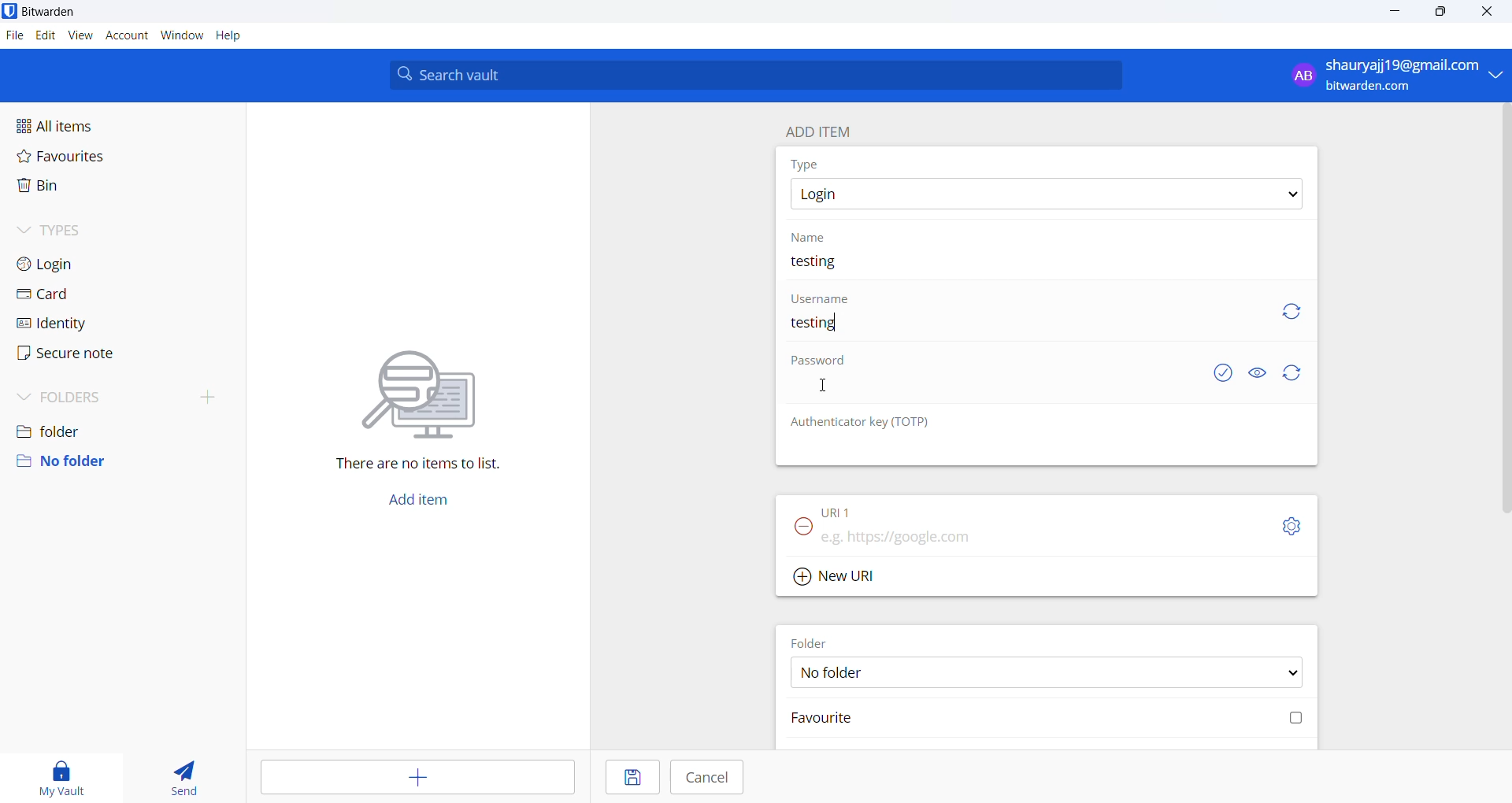 The height and width of the screenshot is (803, 1512). What do you see at coordinates (417, 413) in the screenshot?
I see `There are no items to list.` at bounding box center [417, 413].